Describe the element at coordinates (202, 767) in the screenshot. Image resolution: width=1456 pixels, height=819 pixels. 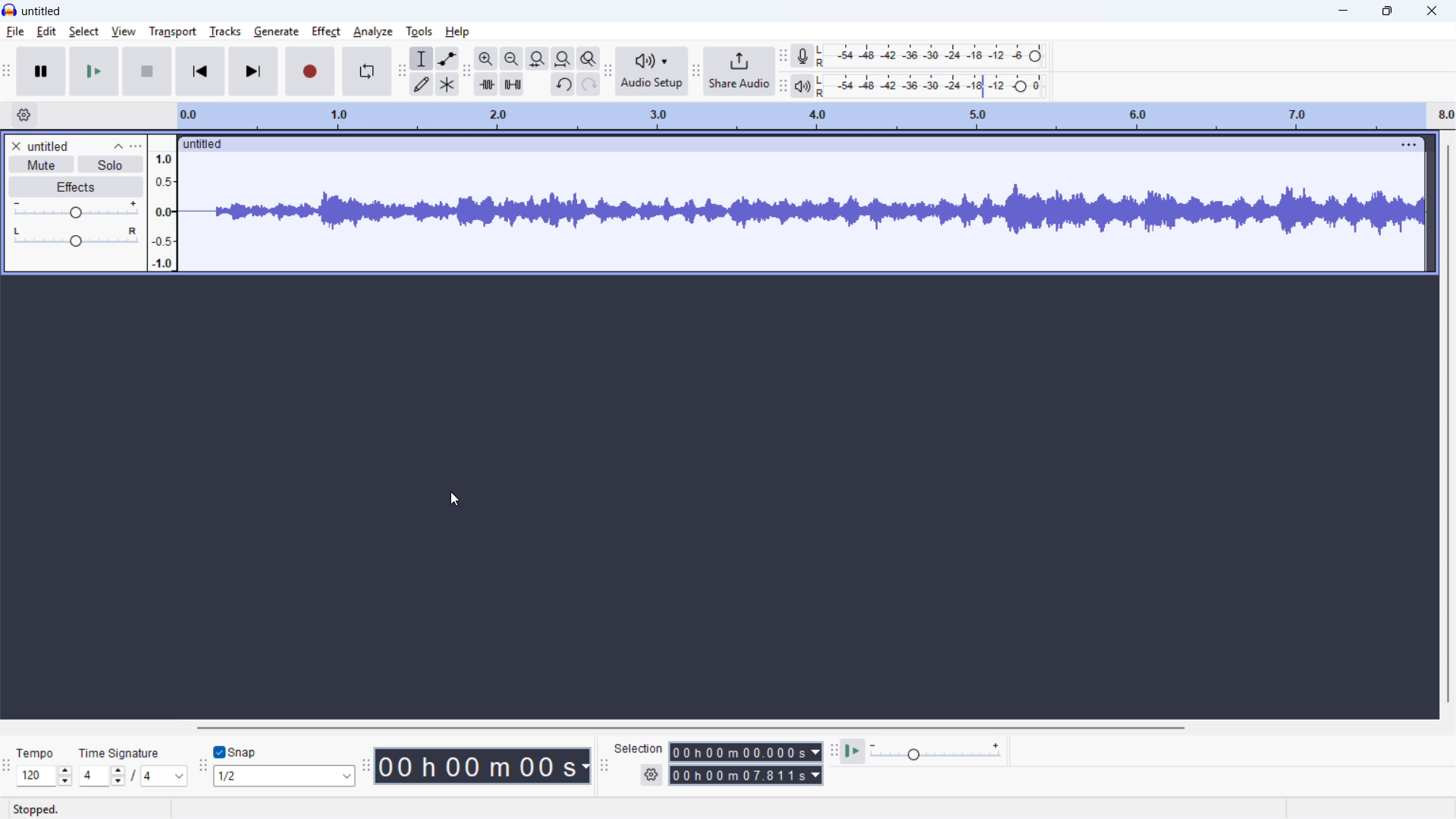
I see `snapping toolbar` at that location.